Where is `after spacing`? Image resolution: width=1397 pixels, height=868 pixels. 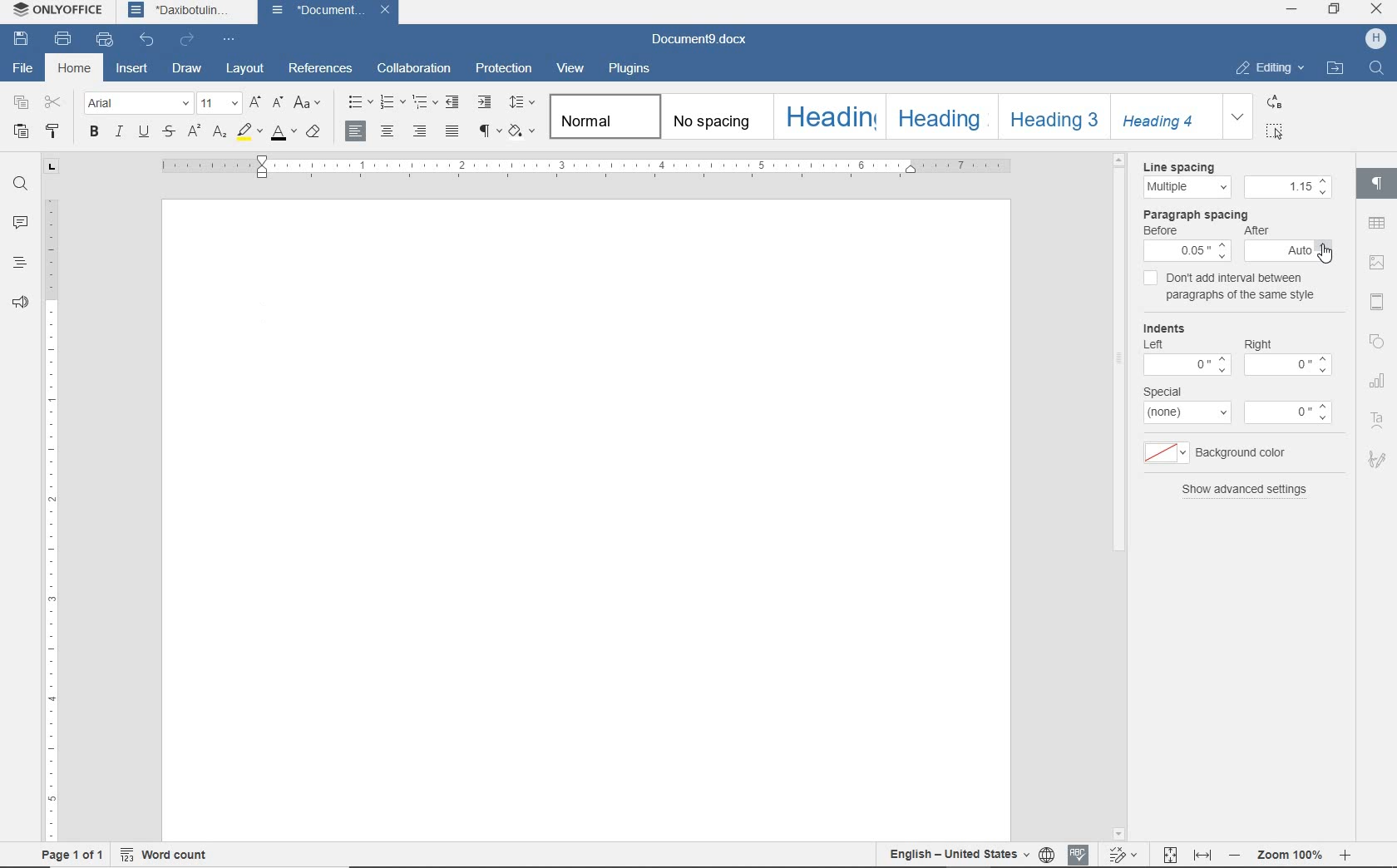
after spacing is located at coordinates (1287, 250).